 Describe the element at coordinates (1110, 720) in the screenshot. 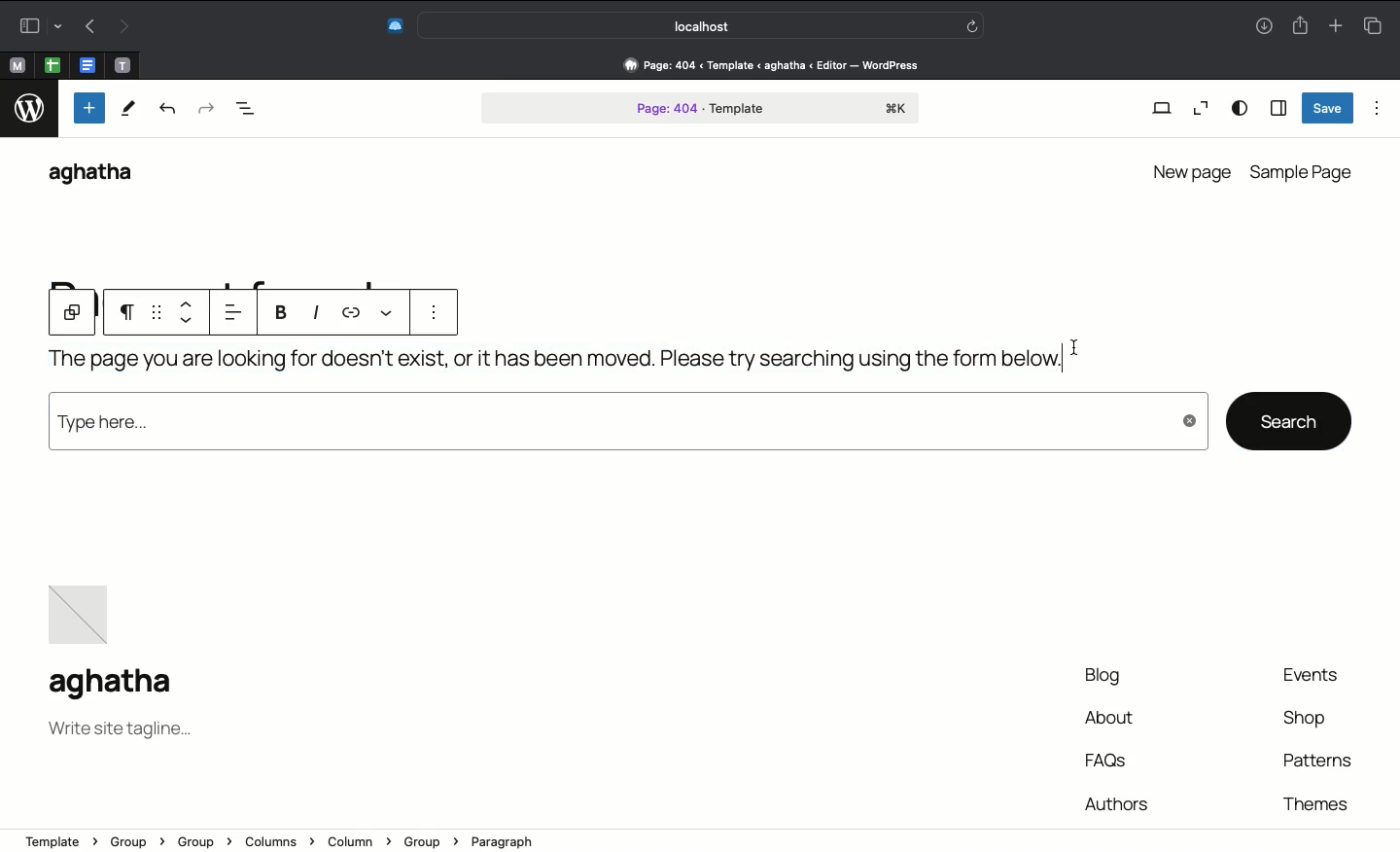

I see `About` at that location.